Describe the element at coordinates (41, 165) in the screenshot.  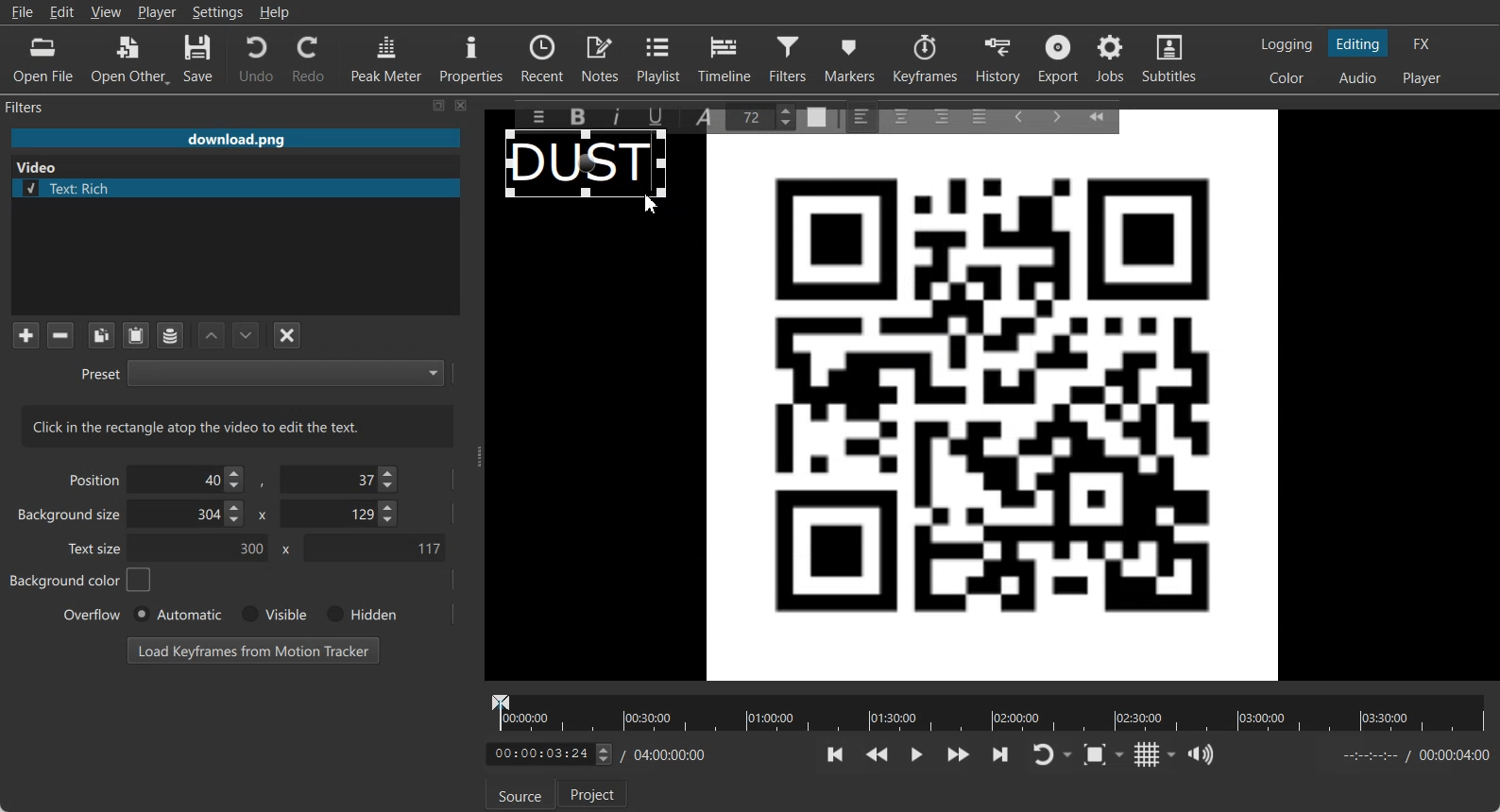
I see `Video` at that location.